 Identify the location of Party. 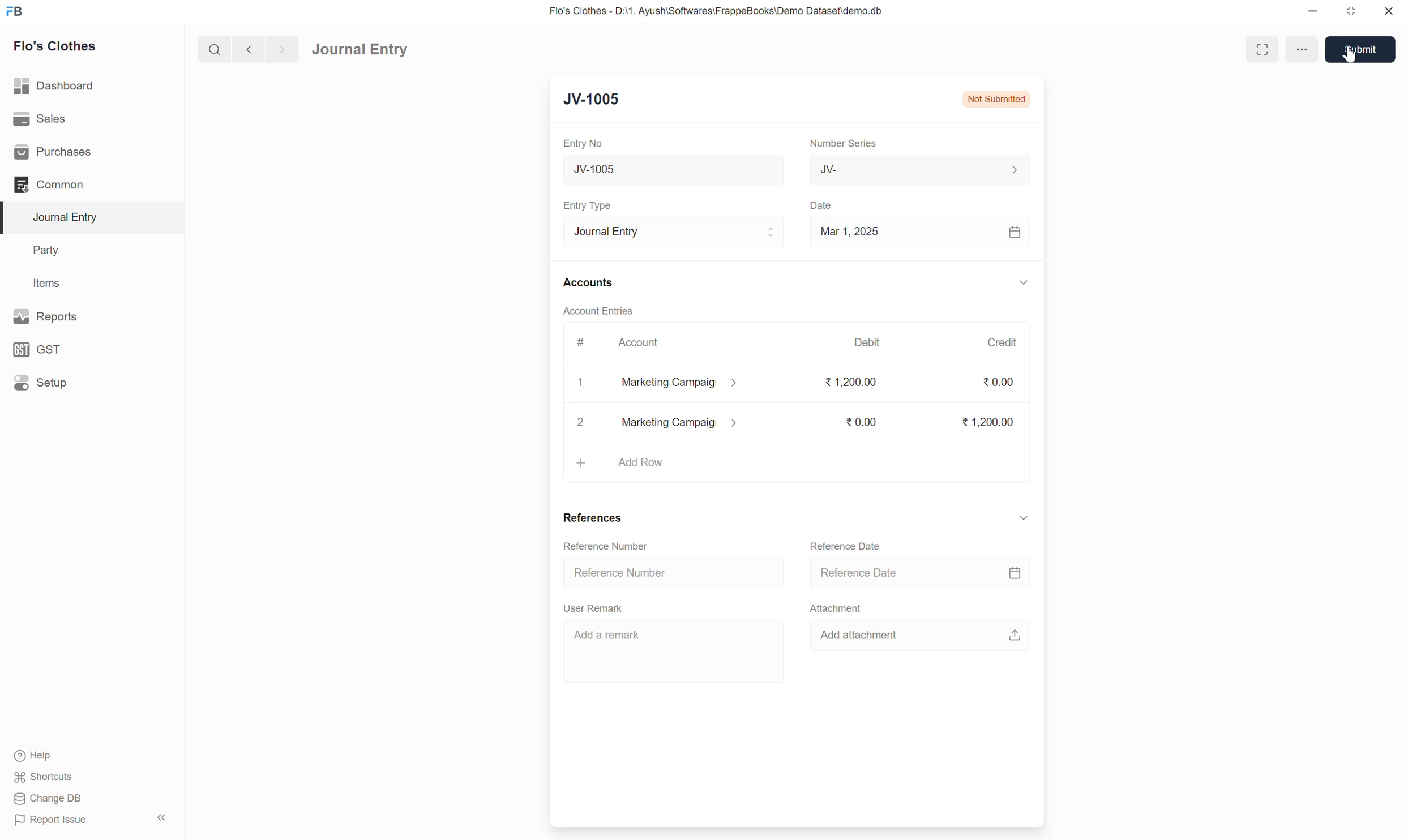
(49, 251).